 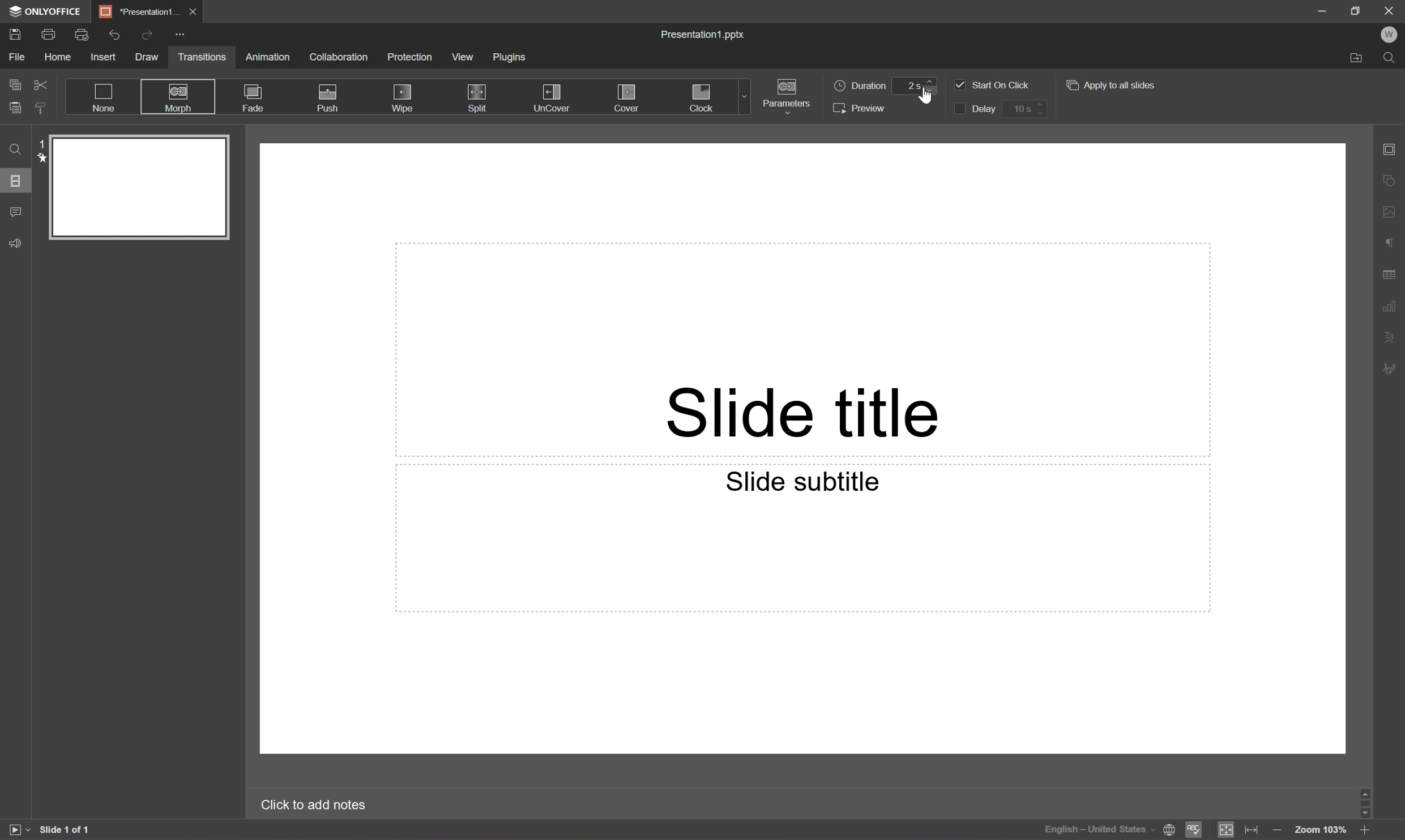 I want to click on Scroll Down, so click(x=1364, y=817).